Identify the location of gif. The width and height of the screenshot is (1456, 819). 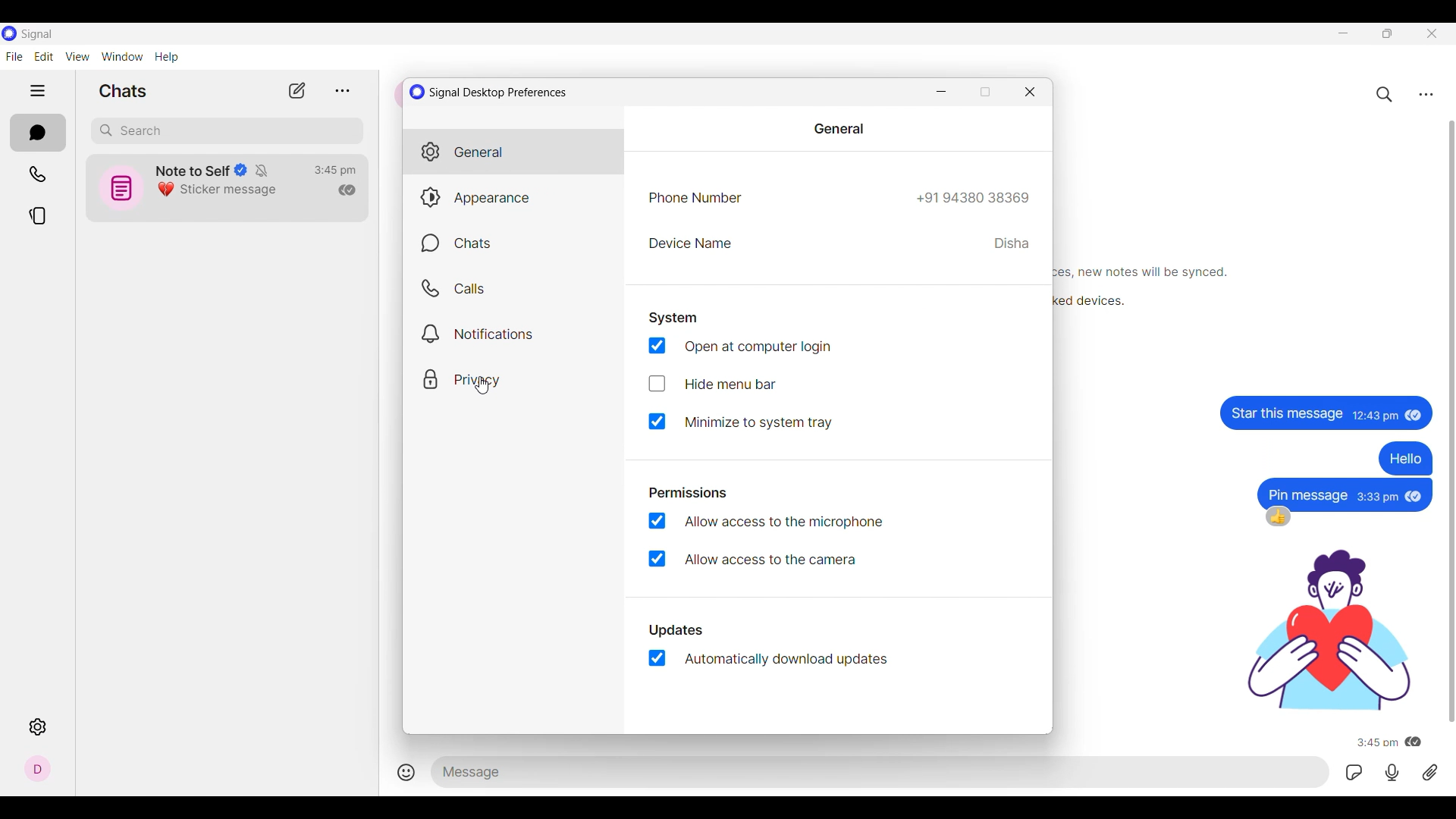
(1326, 629).